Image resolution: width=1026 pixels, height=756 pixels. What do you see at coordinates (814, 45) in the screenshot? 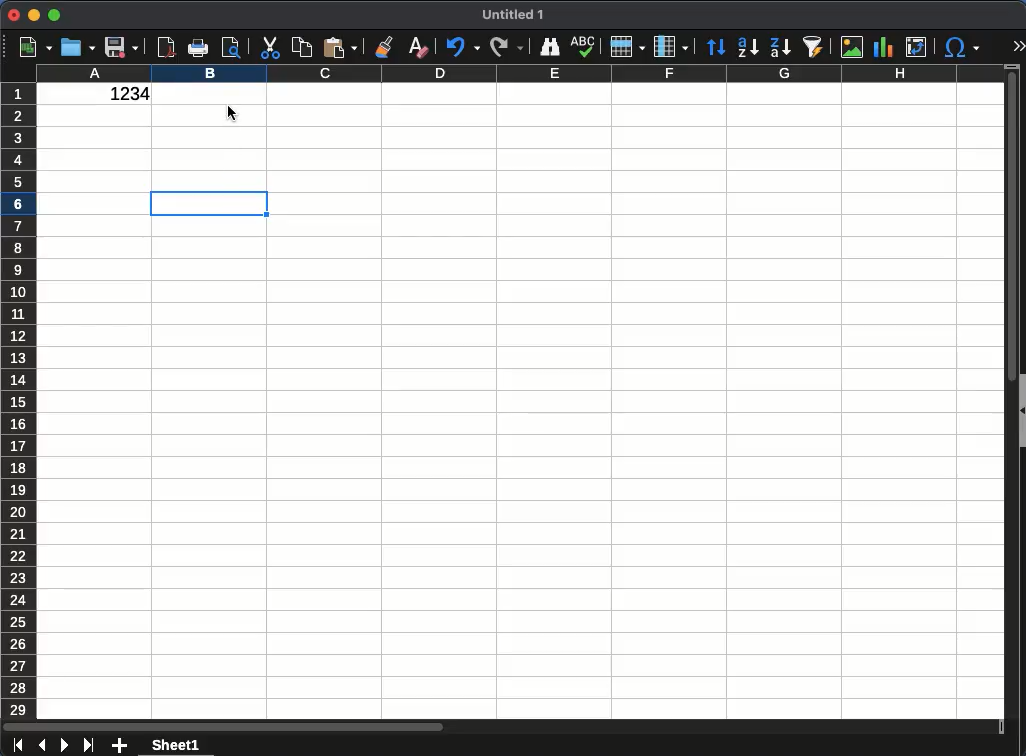
I see `autofilter` at bounding box center [814, 45].